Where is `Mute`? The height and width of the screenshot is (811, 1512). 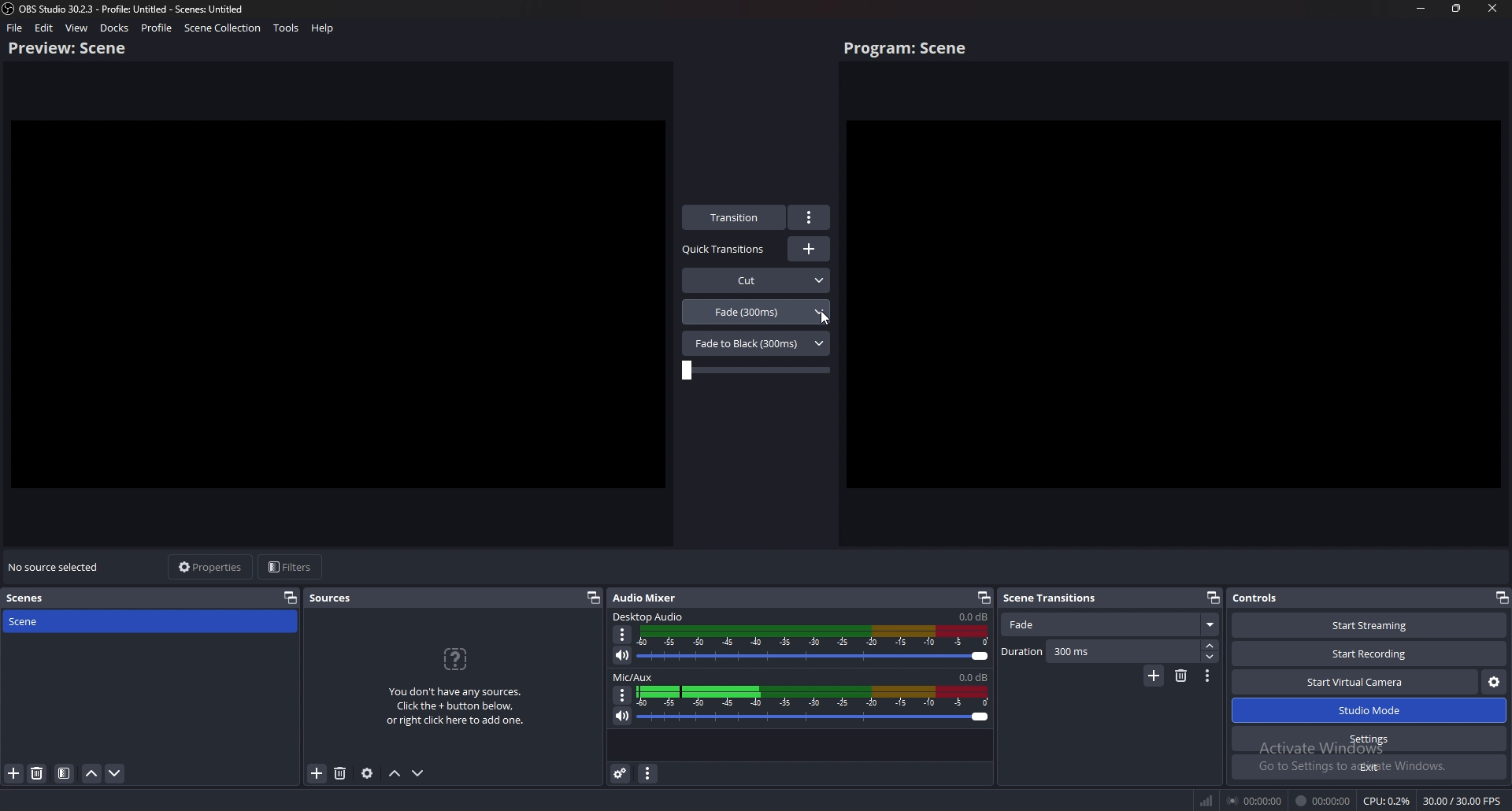
Mute is located at coordinates (624, 656).